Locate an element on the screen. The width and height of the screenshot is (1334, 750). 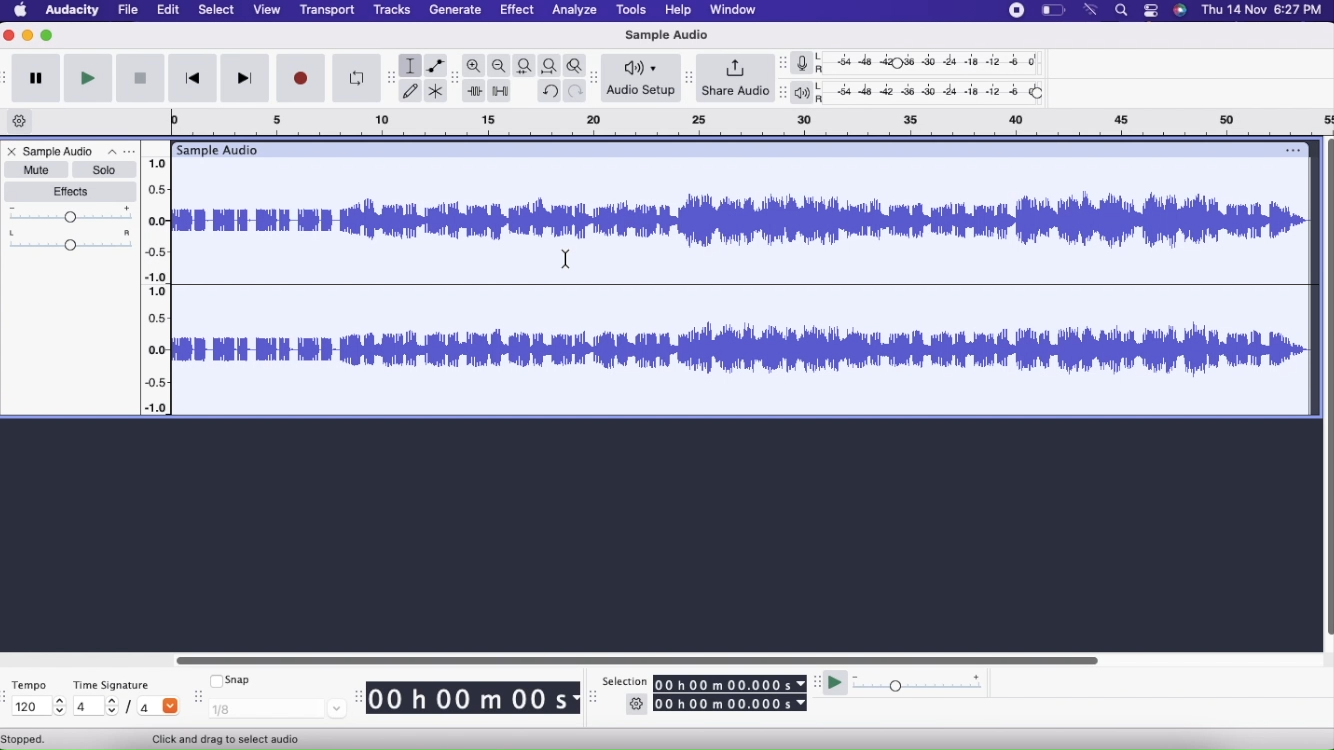
Sample Audio is located at coordinates (667, 35).